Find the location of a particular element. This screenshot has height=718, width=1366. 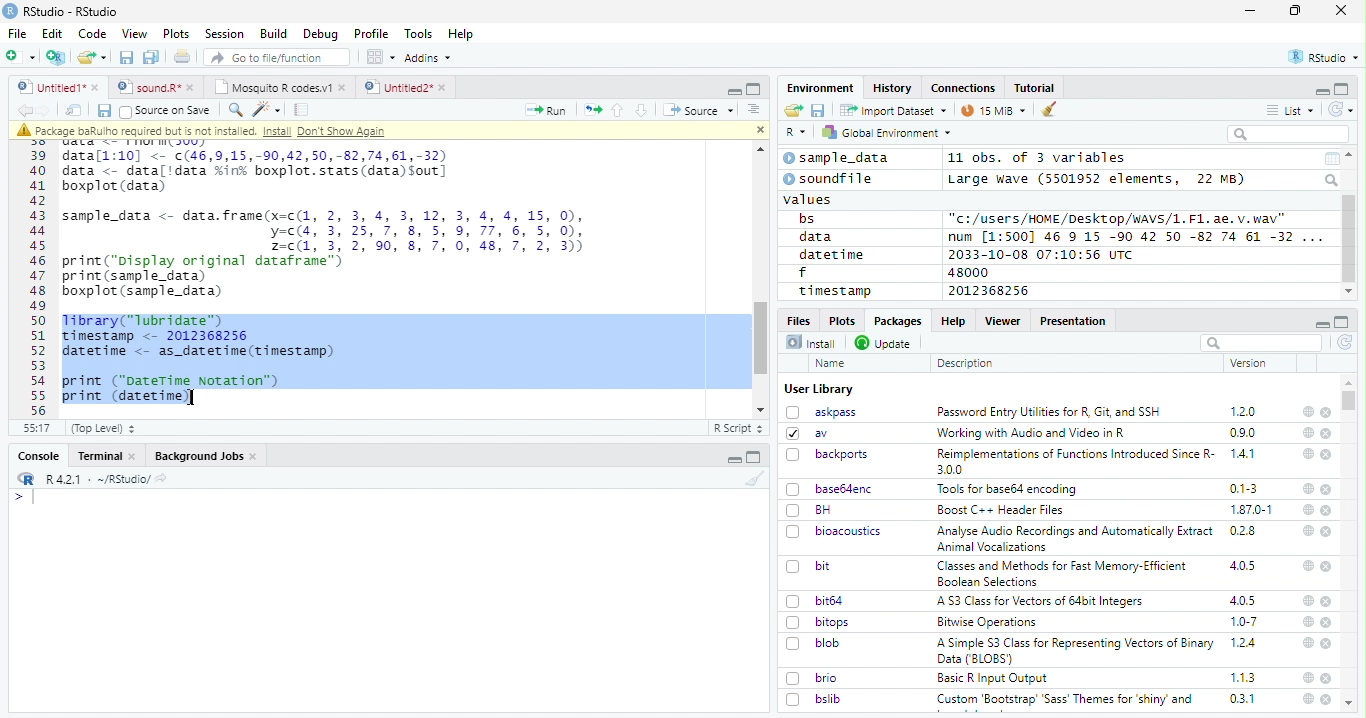

close is located at coordinates (1328, 644).